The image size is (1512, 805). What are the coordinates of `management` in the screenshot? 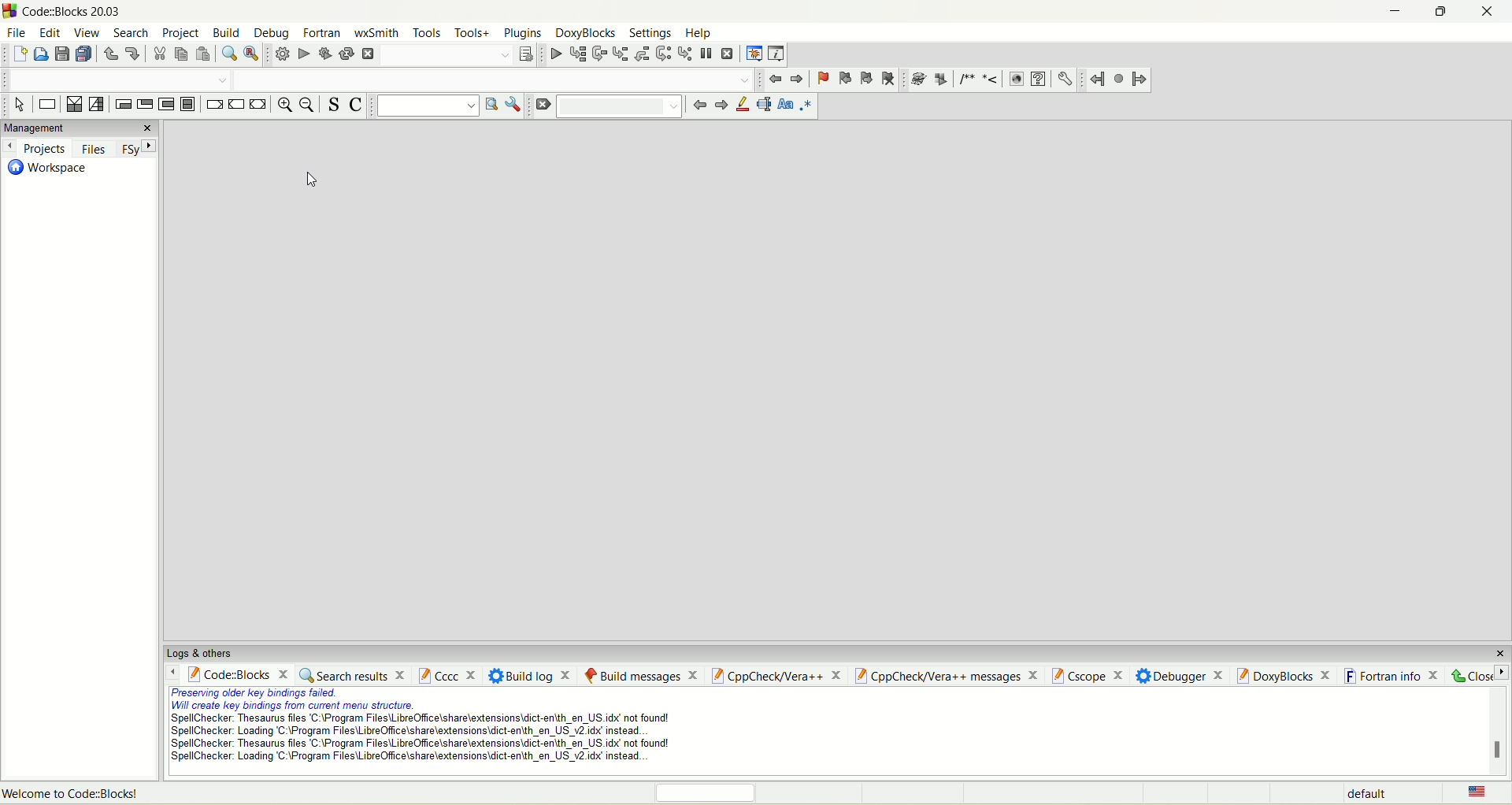 It's located at (64, 128).